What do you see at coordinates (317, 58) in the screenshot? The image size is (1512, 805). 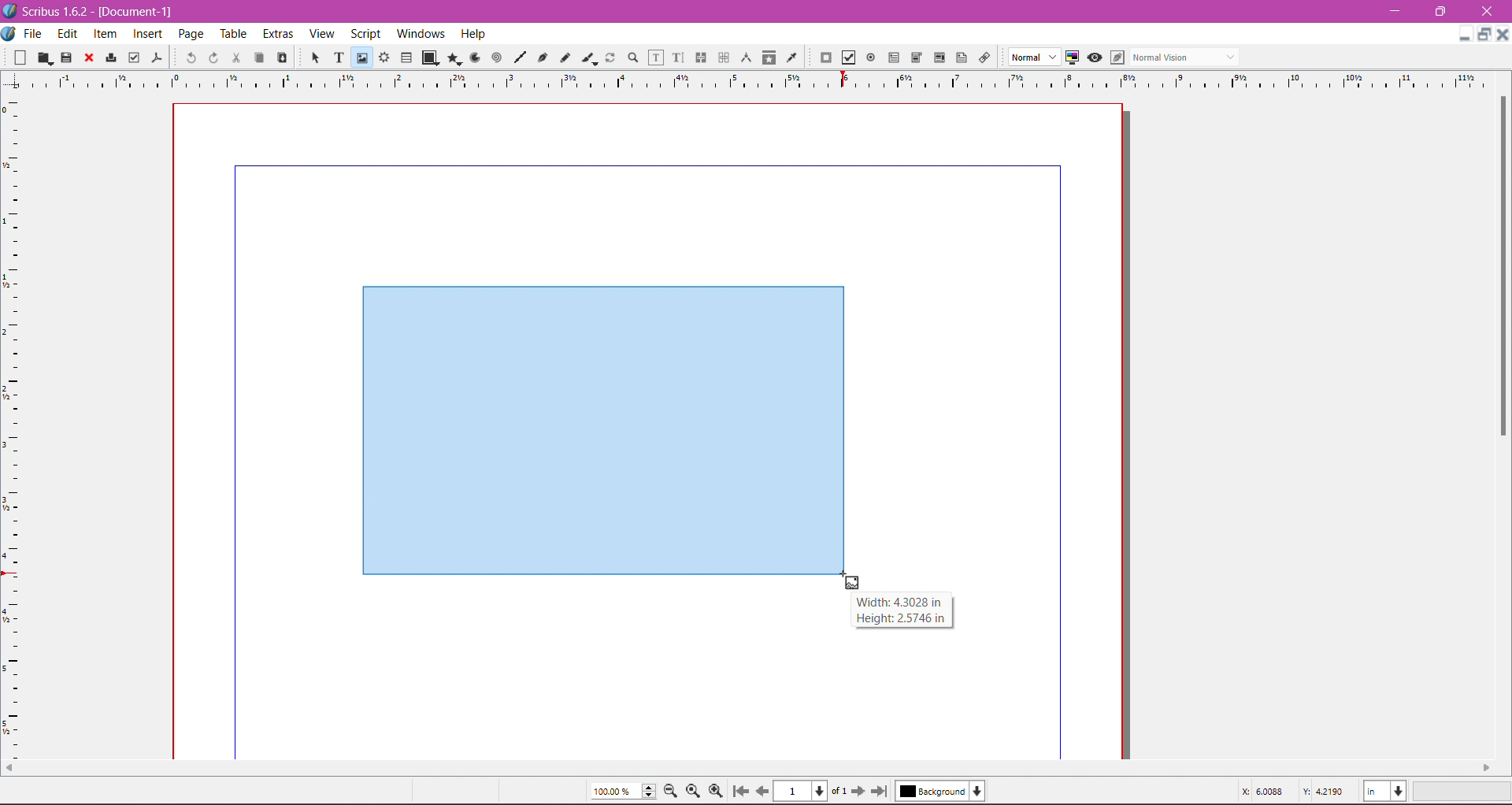 I see `Select Item` at bounding box center [317, 58].